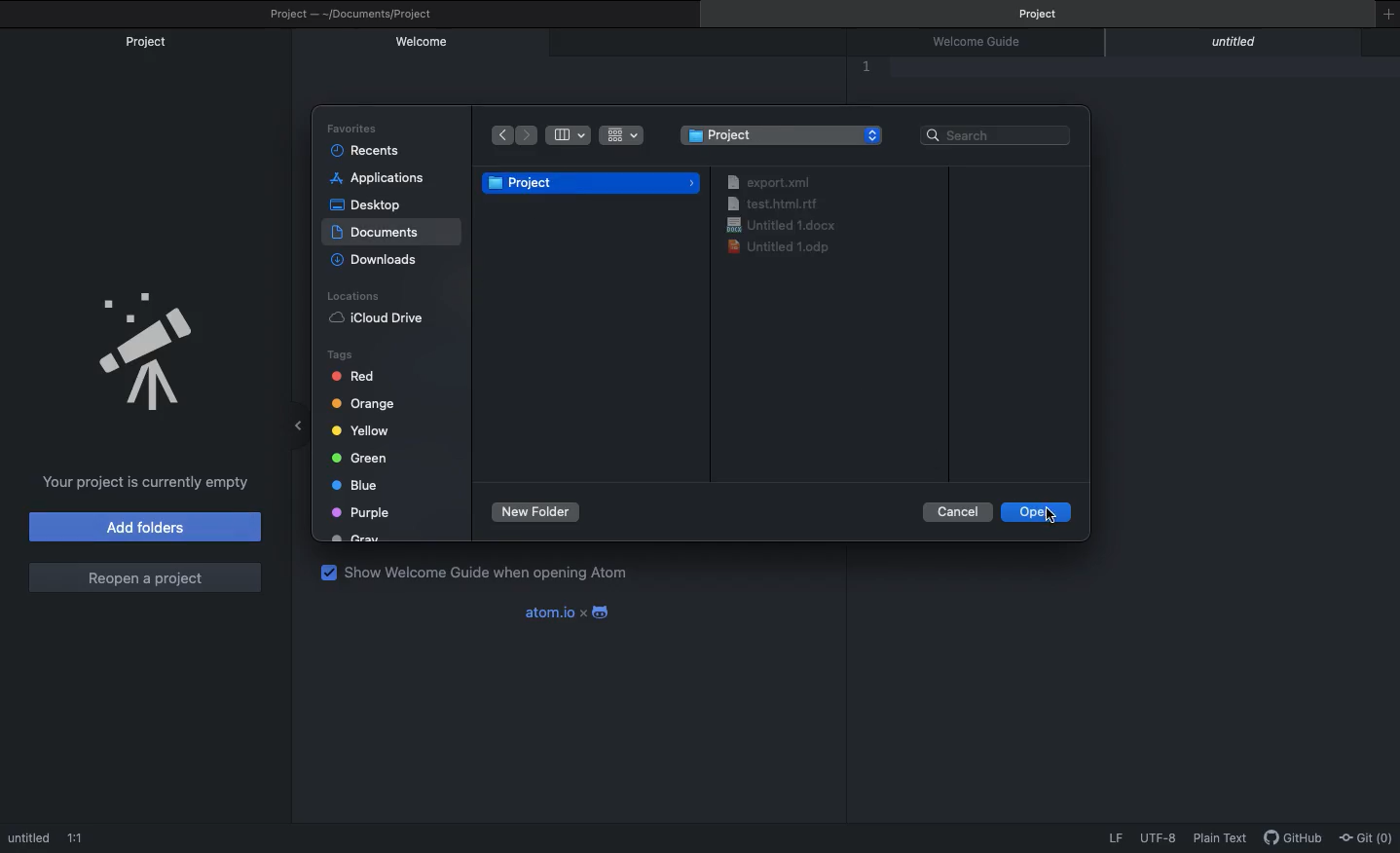 The image size is (1400, 853). I want to click on Project, so click(1045, 16).